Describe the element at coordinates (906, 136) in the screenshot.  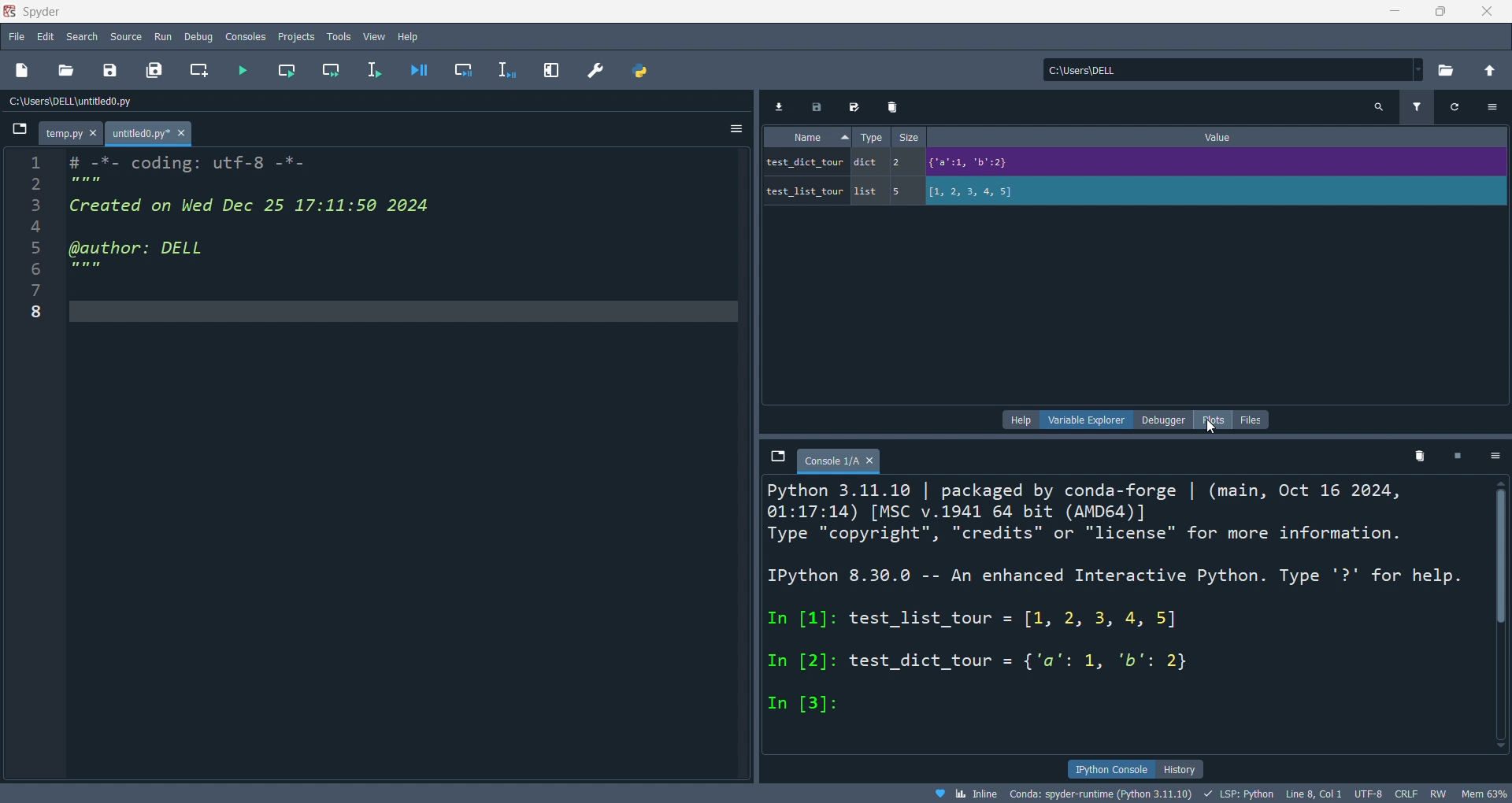
I see `size` at that location.